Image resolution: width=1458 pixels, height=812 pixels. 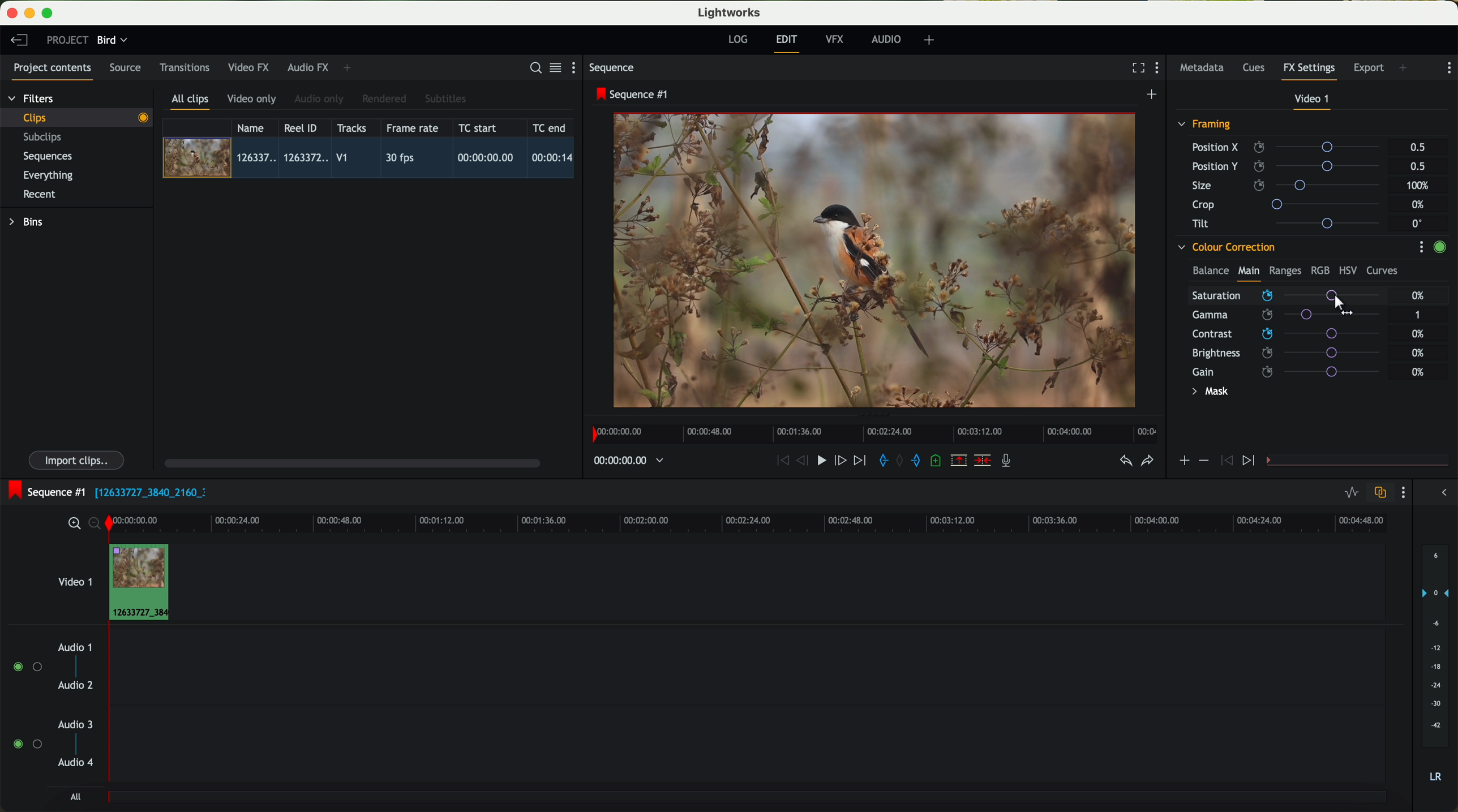 What do you see at coordinates (32, 14) in the screenshot?
I see `minimize program` at bounding box center [32, 14].